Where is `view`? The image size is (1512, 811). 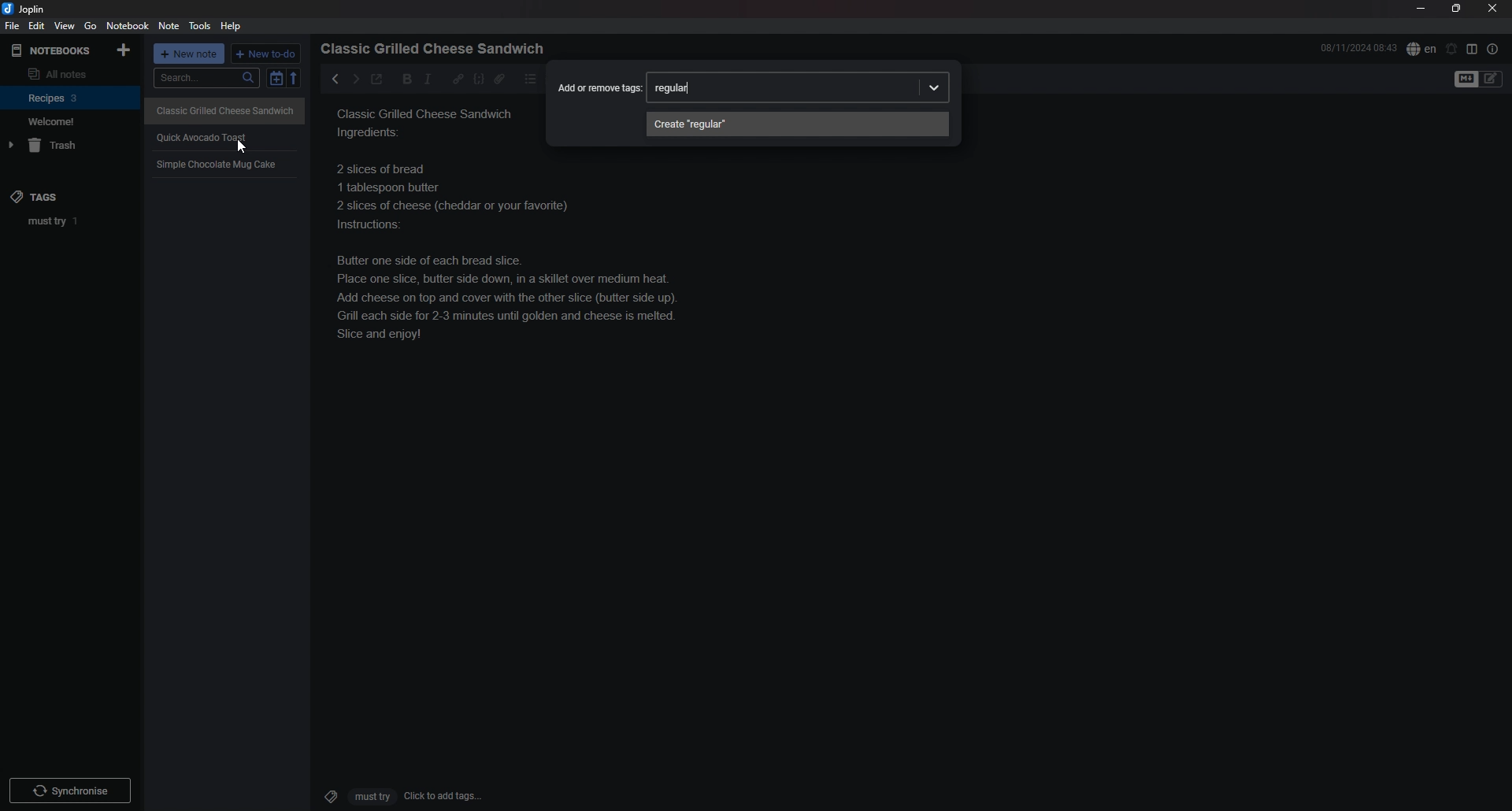
view is located at coordinates (64, 26).